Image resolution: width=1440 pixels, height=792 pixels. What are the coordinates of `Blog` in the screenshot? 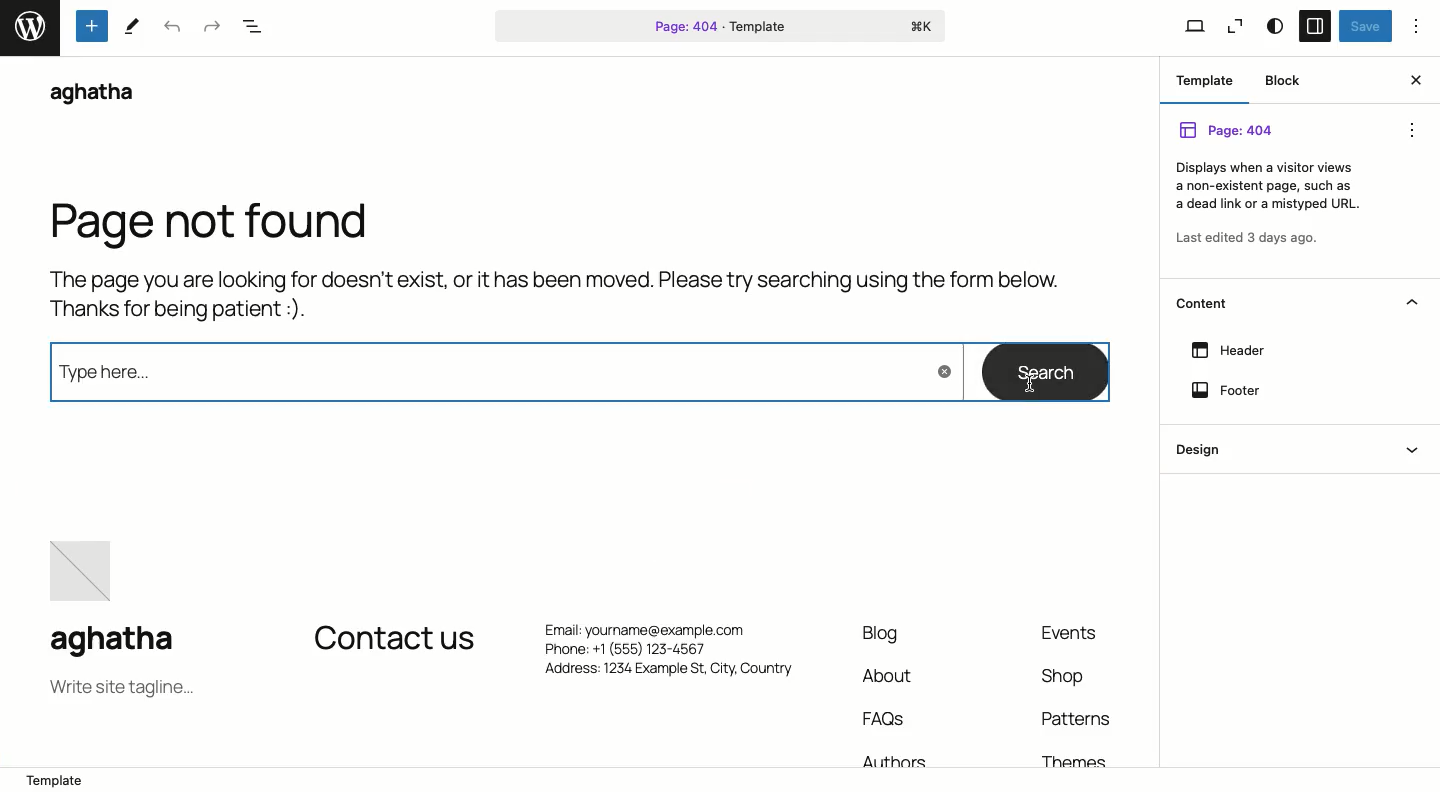 It's located at (882, 634).